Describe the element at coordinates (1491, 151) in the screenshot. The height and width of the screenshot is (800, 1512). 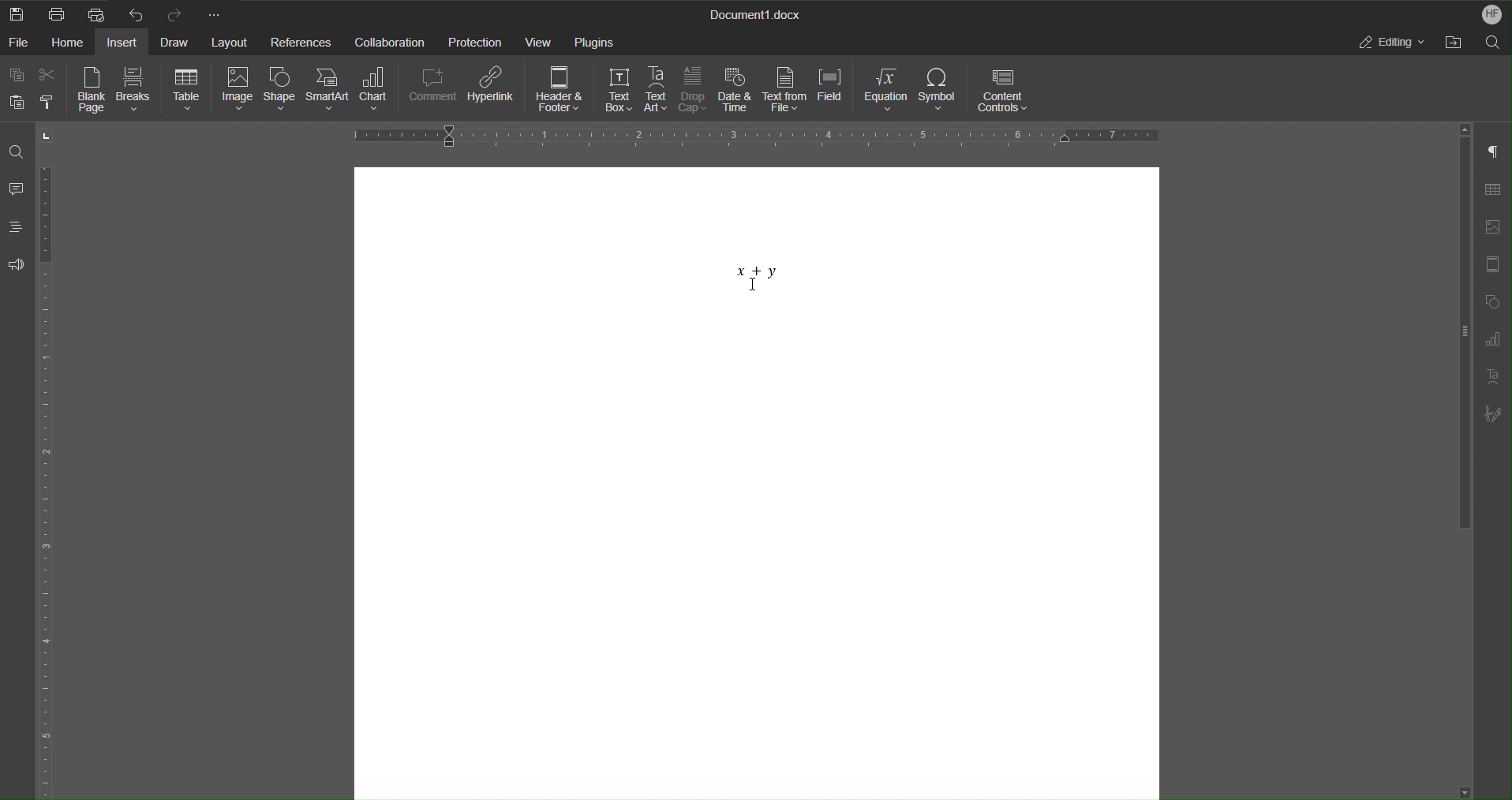
I see `Non-Printing Characters` at that location.